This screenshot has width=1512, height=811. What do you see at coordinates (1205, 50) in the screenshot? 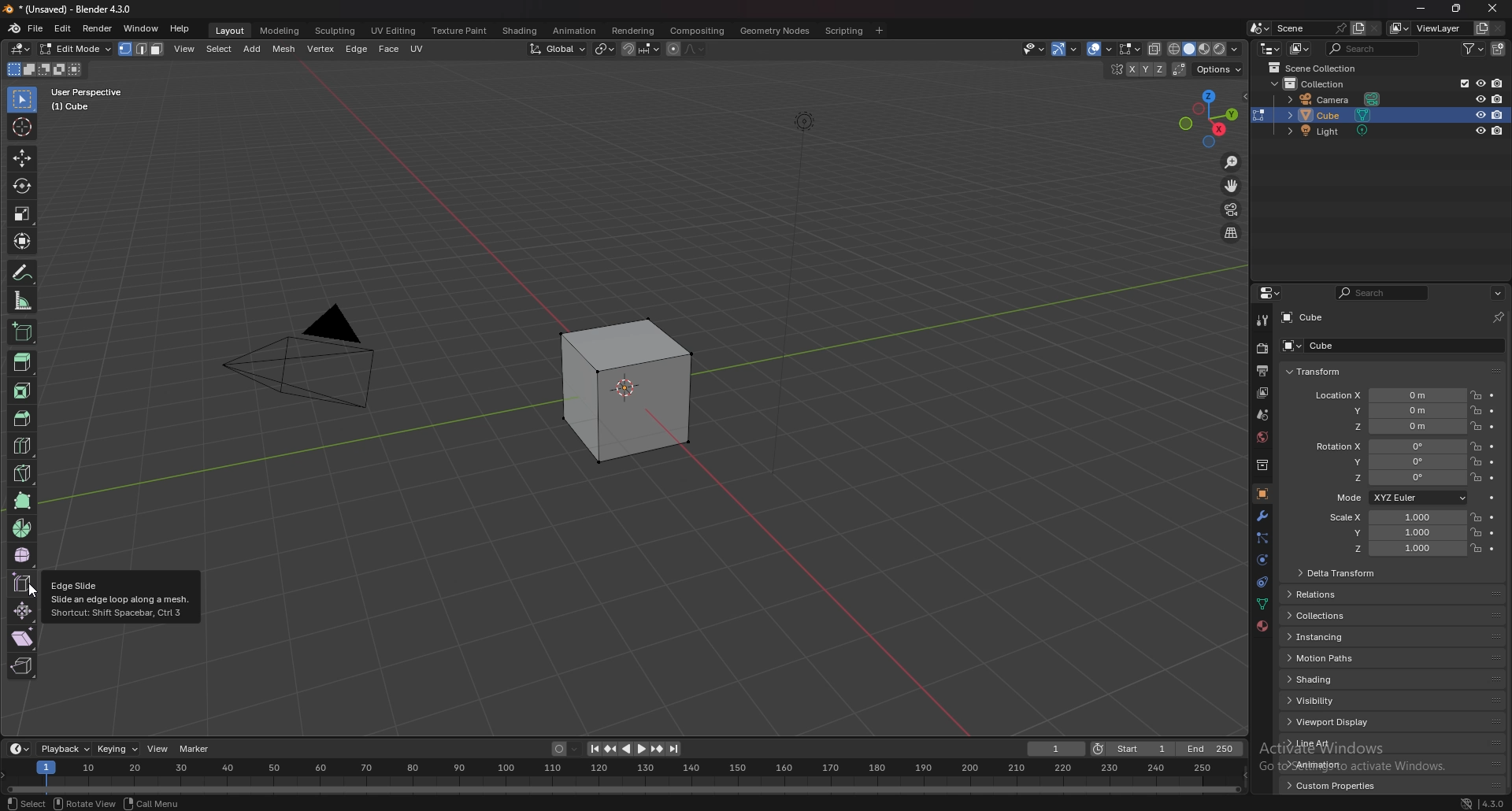
I see `viewport shading` at bounding box center [1205, 50].